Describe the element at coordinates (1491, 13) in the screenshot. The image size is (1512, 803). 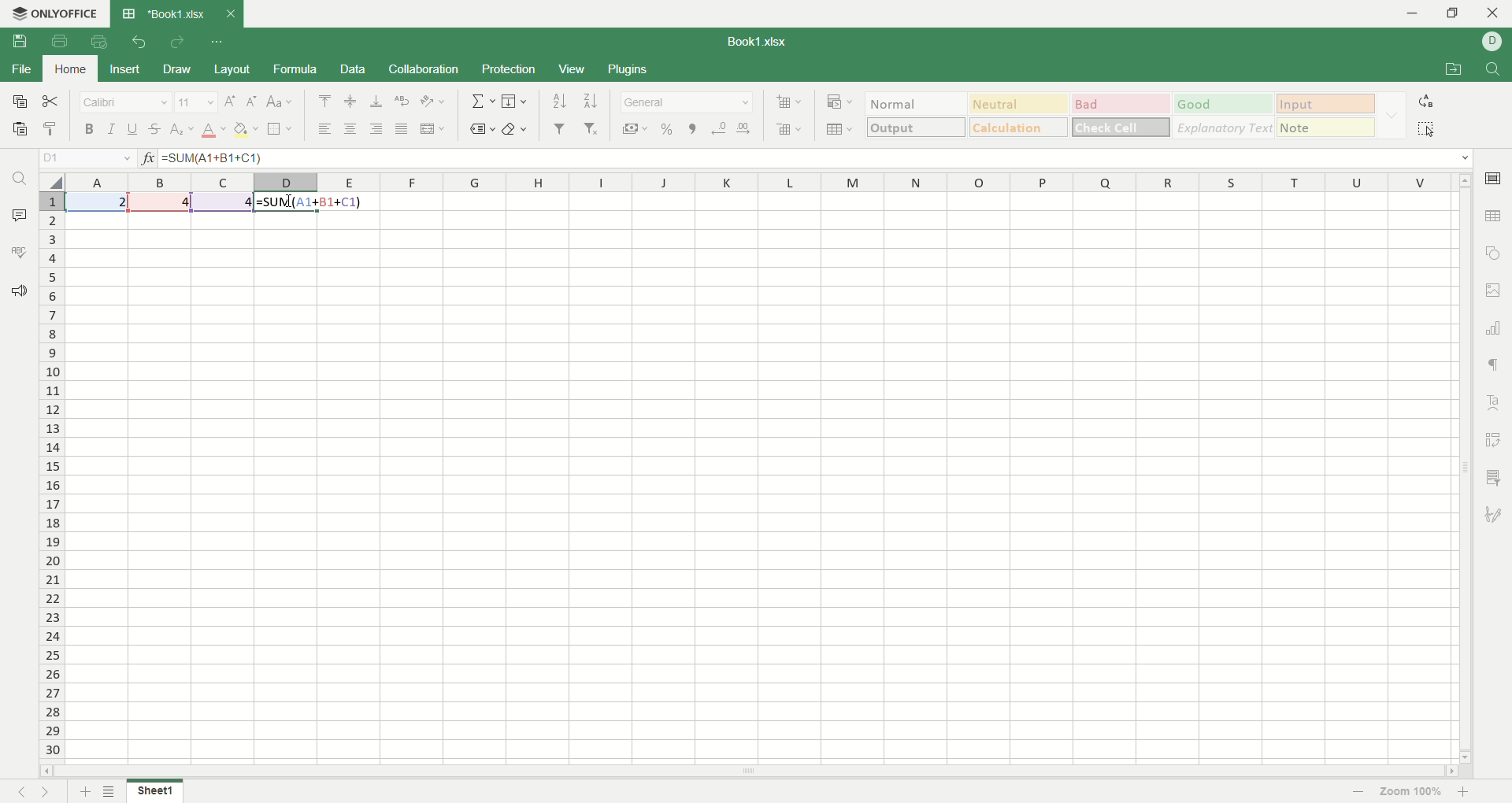
I see `close` at that location.